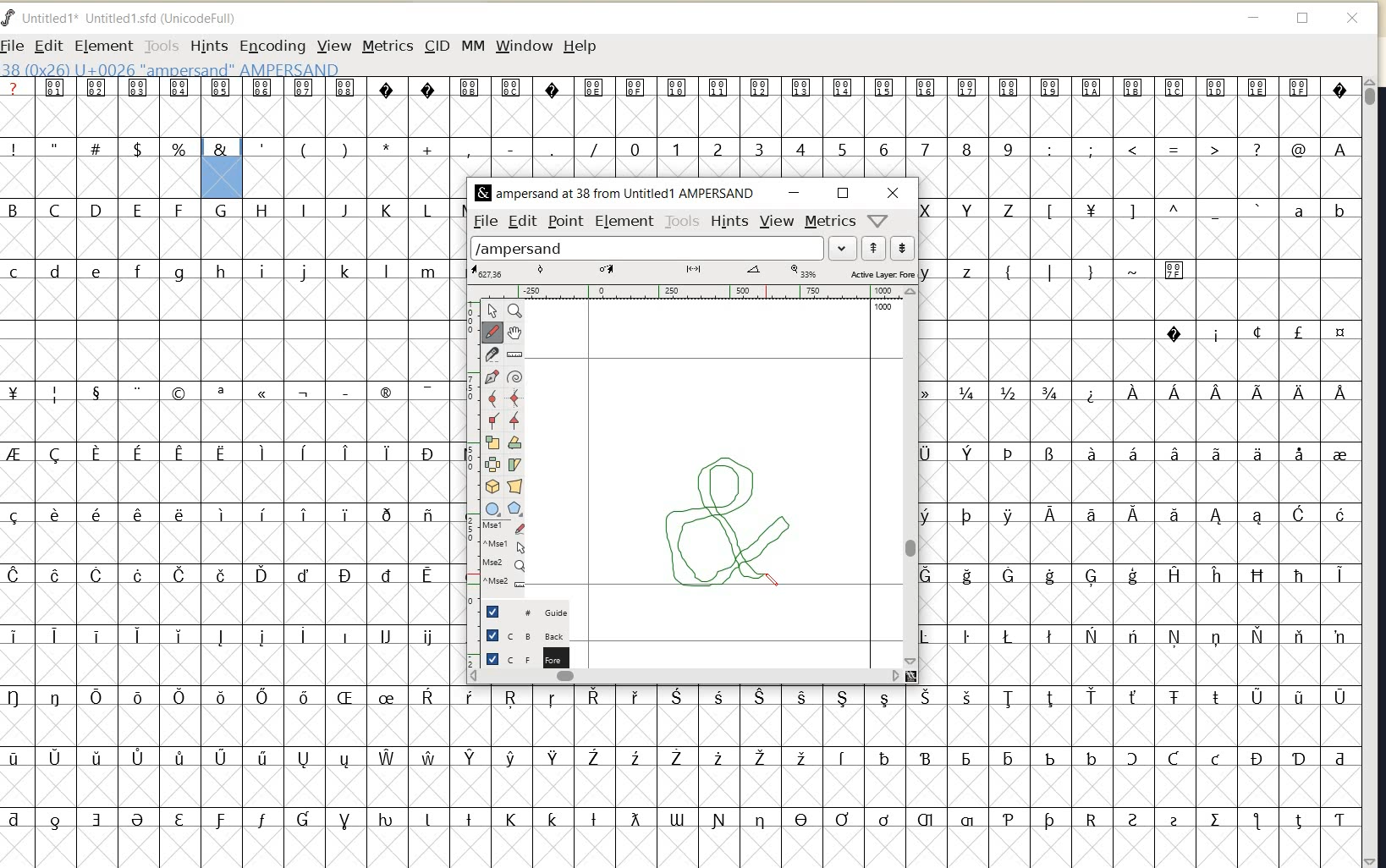 The image size is (1386, 868). I want to click on magnify, so click(516, 311).